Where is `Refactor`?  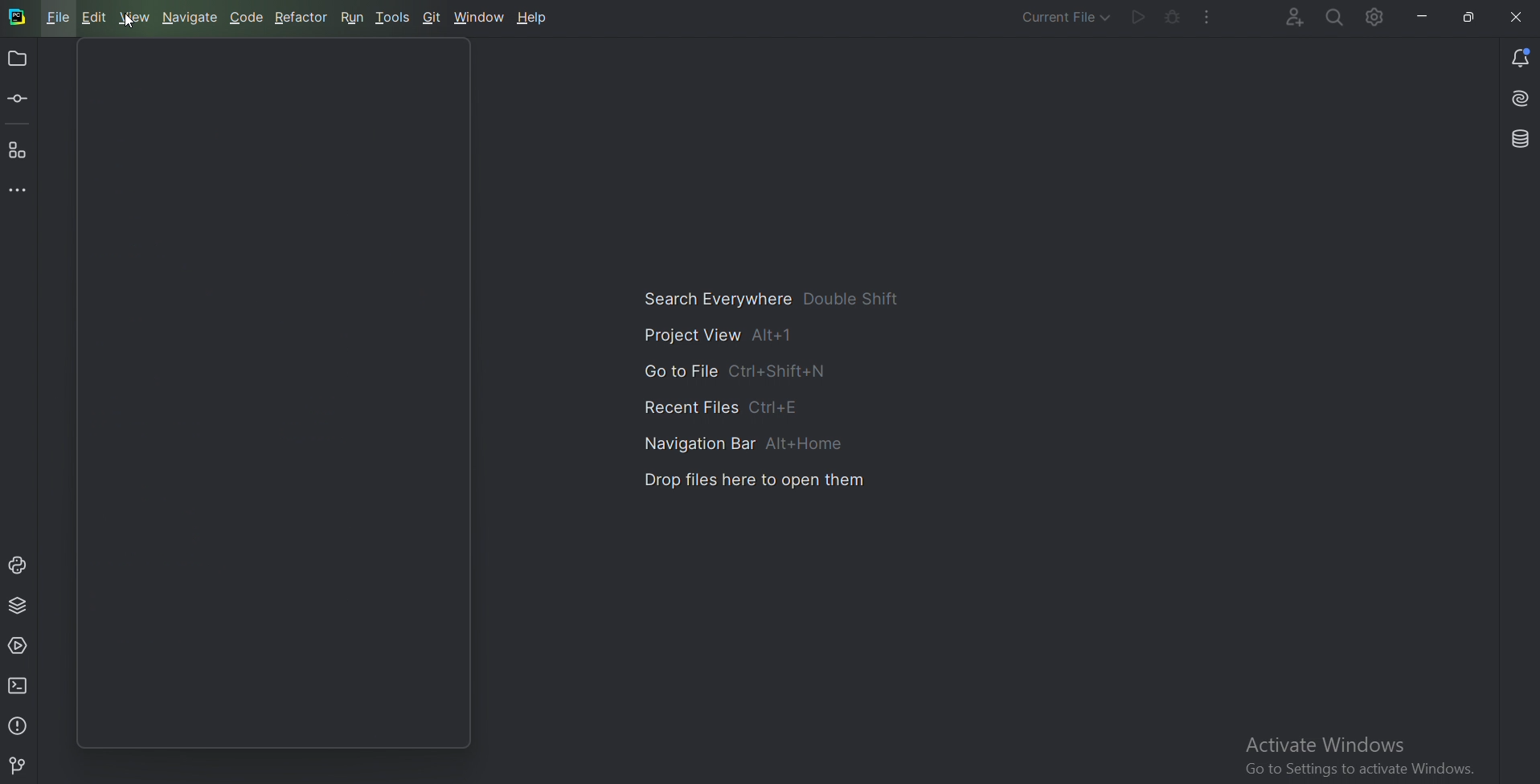 Refactor is located at coordinates (300, 16).